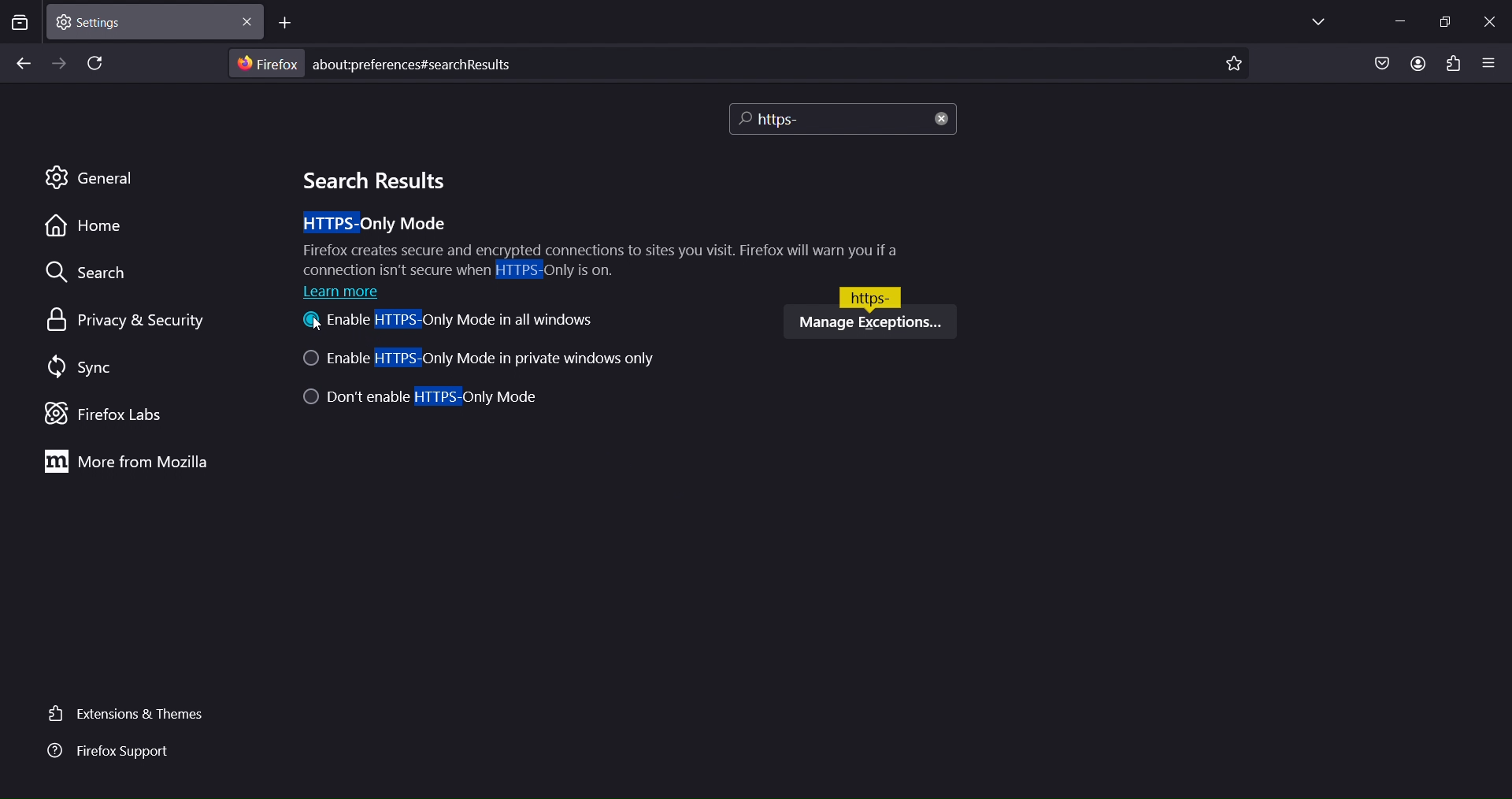 The width and height of the screenshot is (1512, 799). What do you see at coordinates (1419, 63) in the screenshot?
I see `account` at bounding box center [1419, 63].